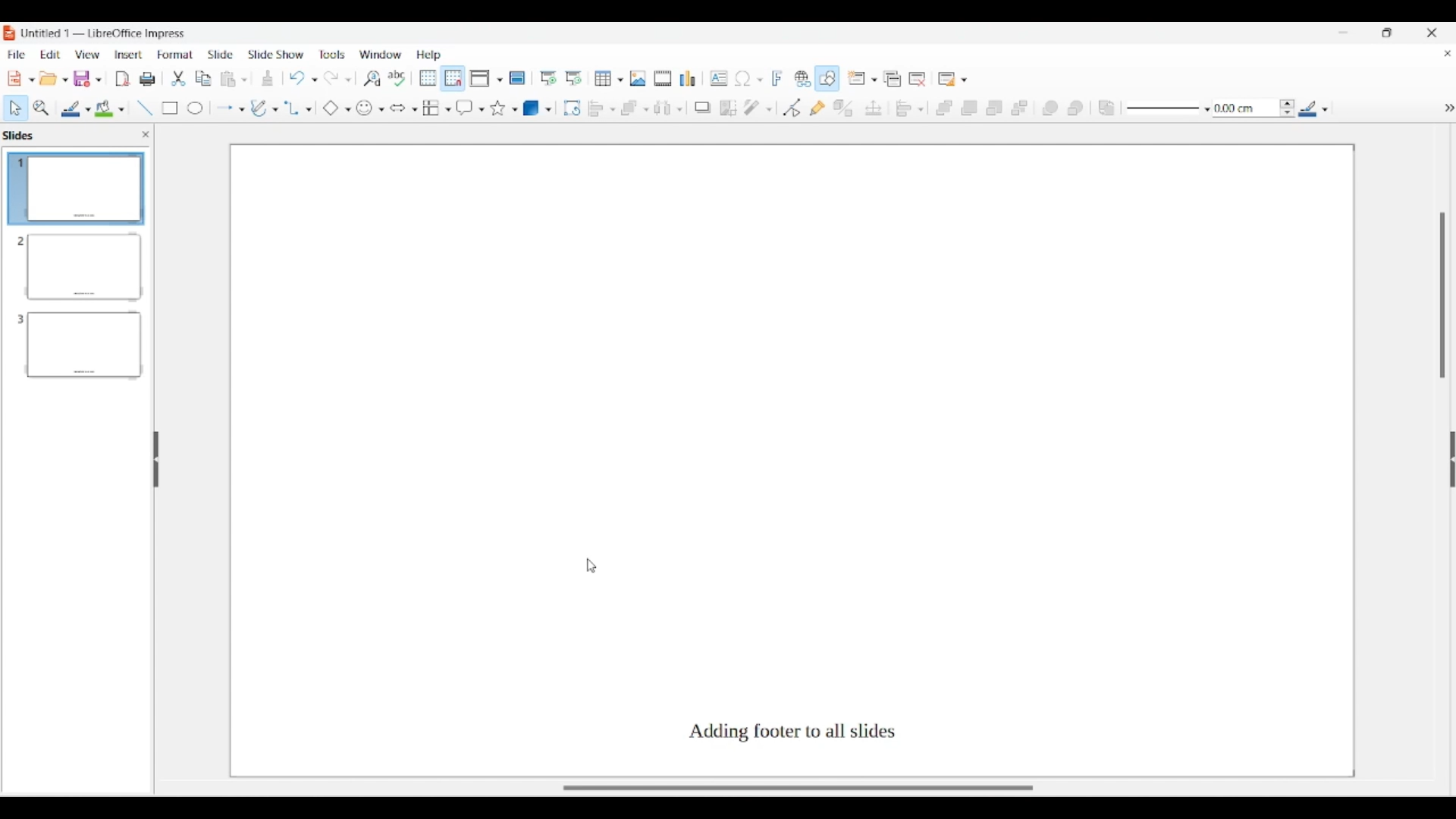 This screenshot has height=819, width=1456. What do you see at coordinates (1313, 108) in the screenshot?
I see `Line color options` at bounding box center [1313, 108].